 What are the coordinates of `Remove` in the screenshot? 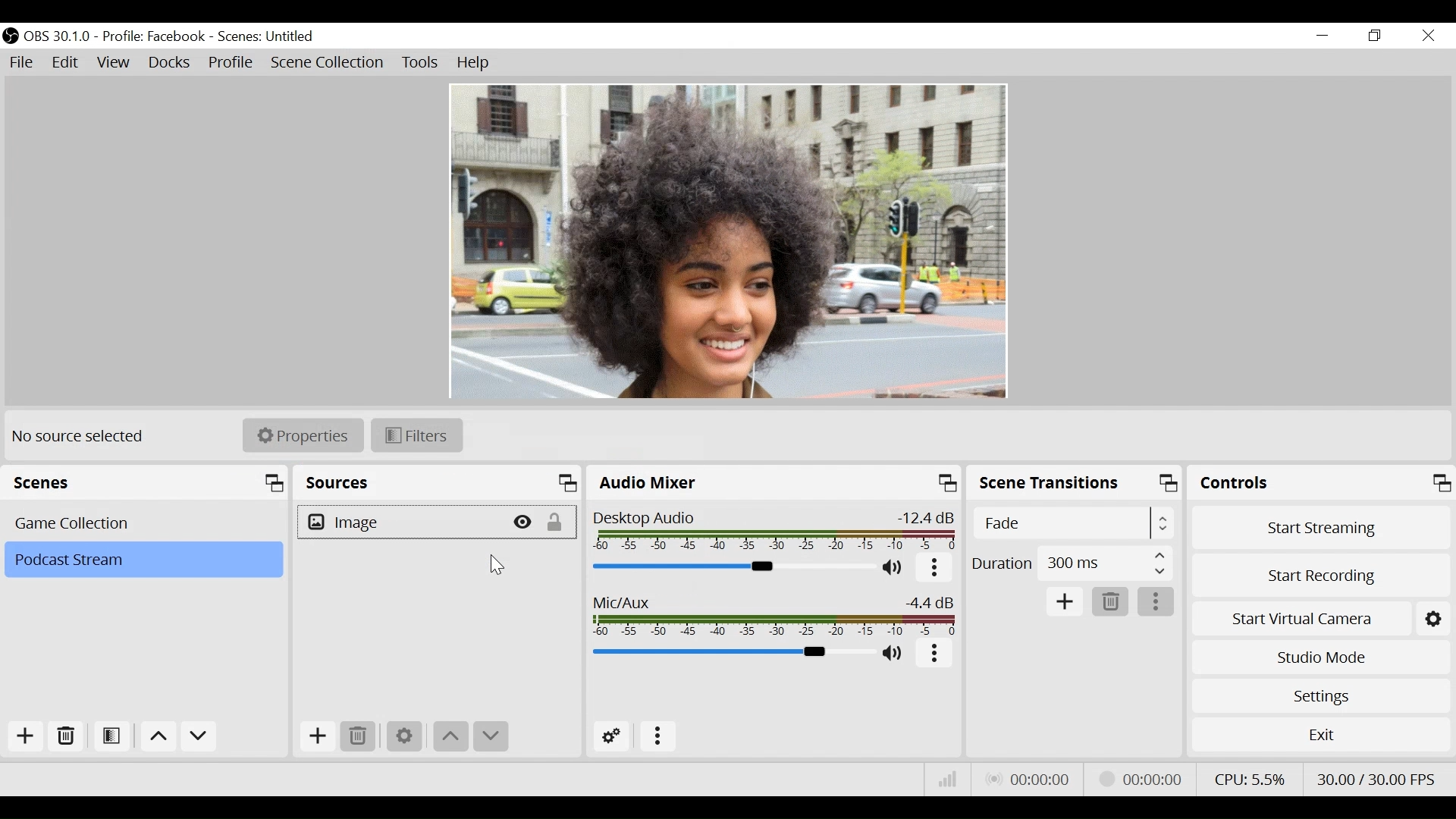 It's located at (358, 736).